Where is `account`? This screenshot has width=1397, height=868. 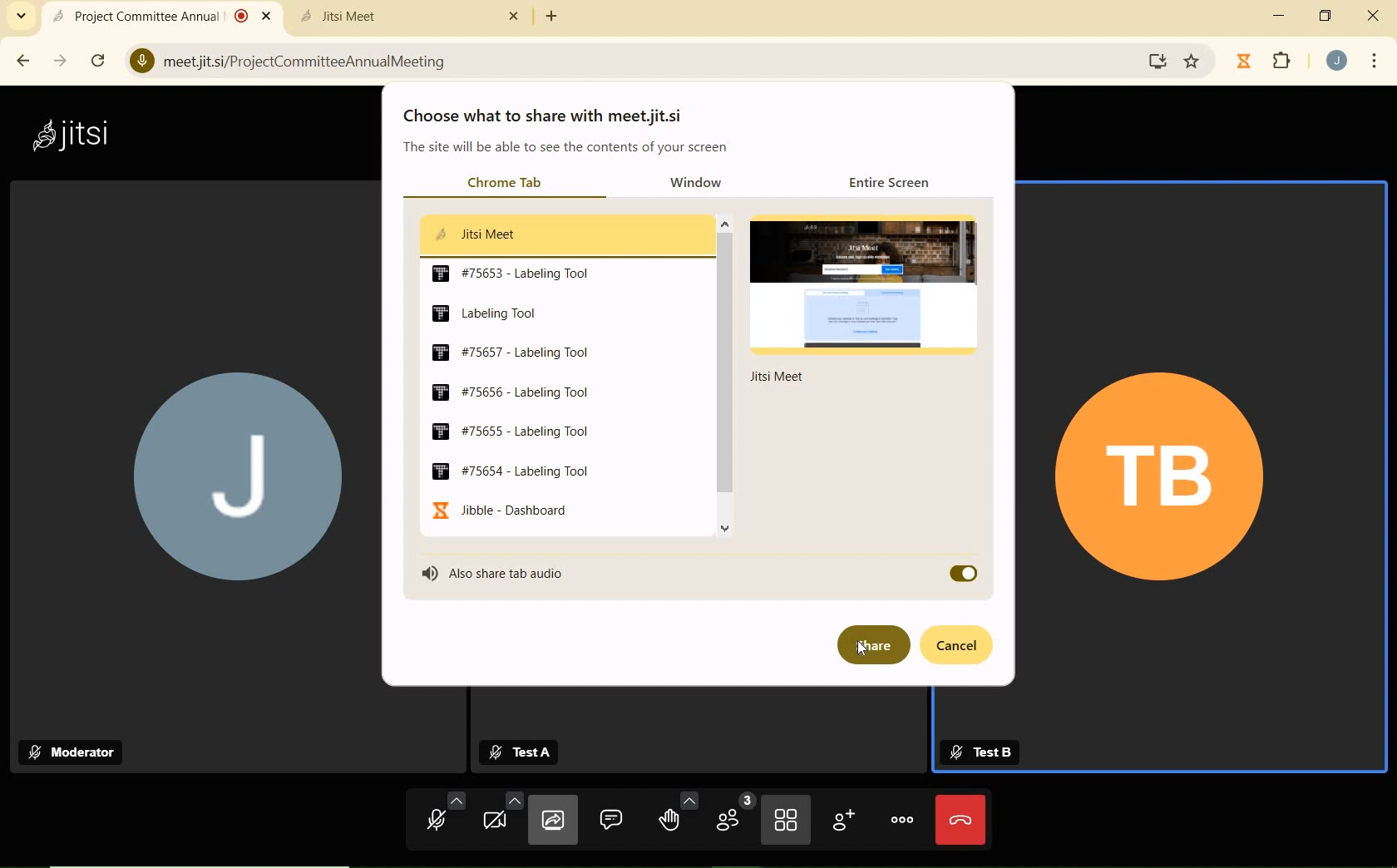
account is located at coordinates (1339, 61).